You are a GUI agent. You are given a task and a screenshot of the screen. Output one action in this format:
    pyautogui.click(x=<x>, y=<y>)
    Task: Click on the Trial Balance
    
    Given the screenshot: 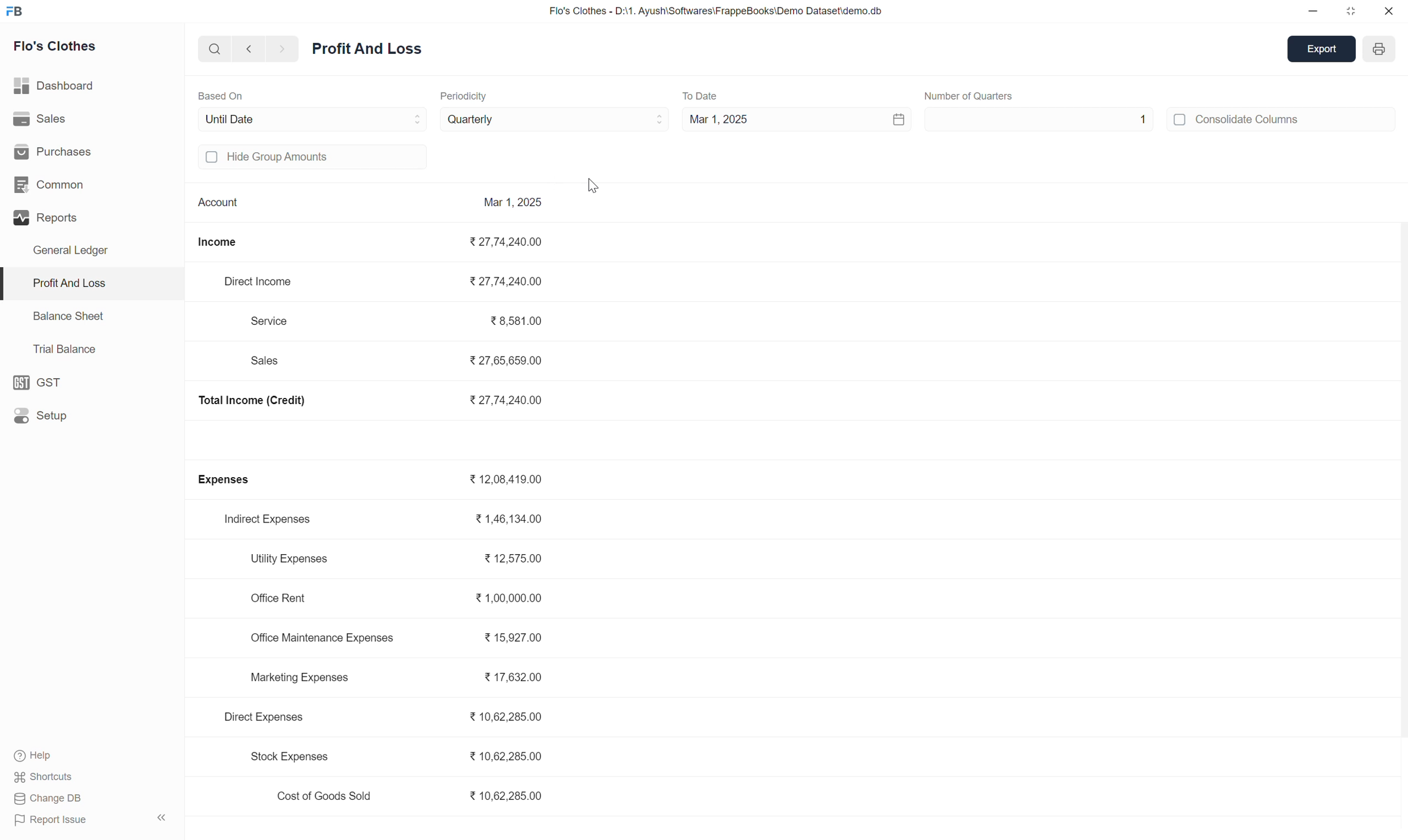 What is the action you would take?
    pyautogui.click(x=59, y=350)
    